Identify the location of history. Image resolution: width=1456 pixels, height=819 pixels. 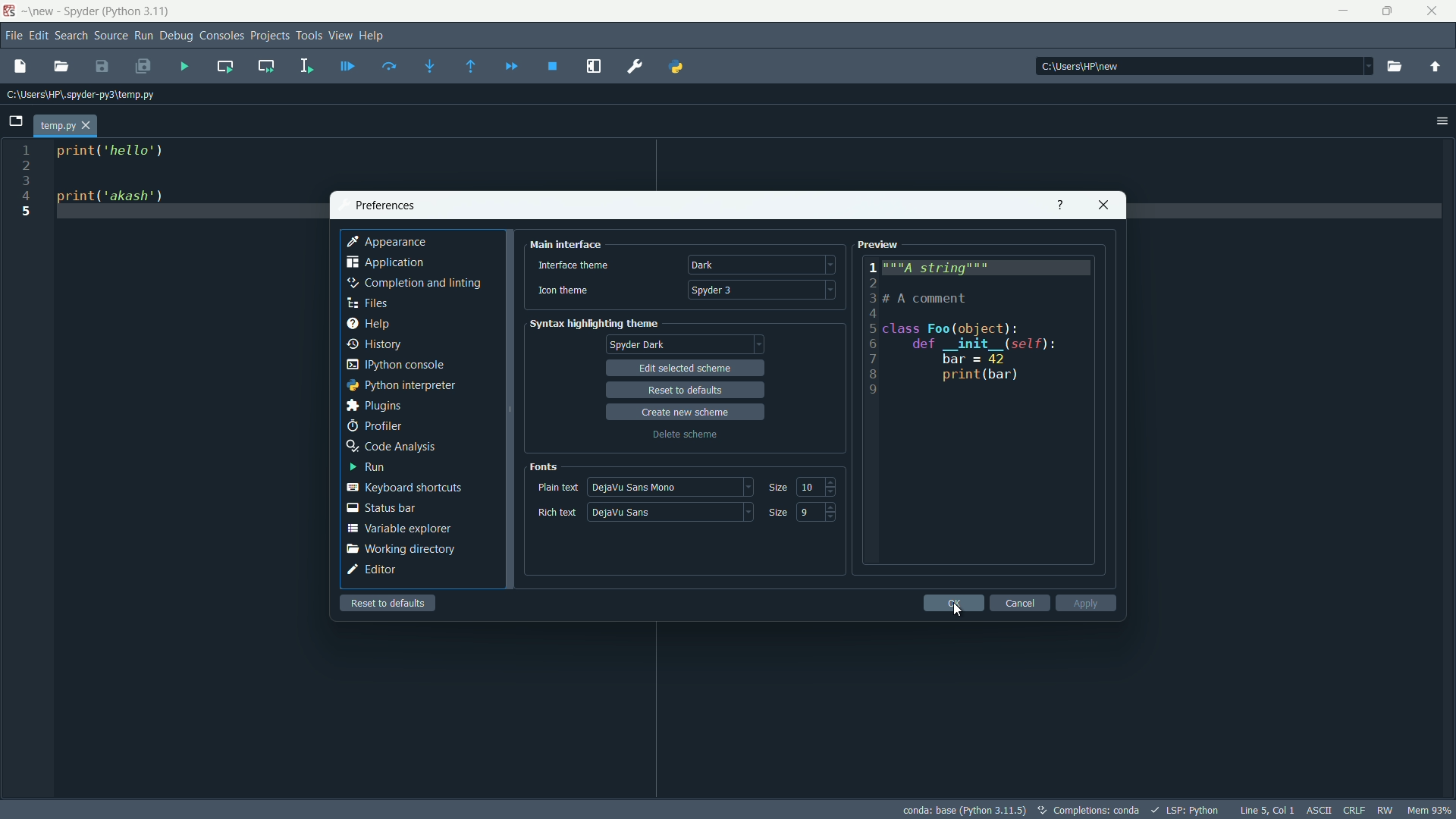
(373, 344).